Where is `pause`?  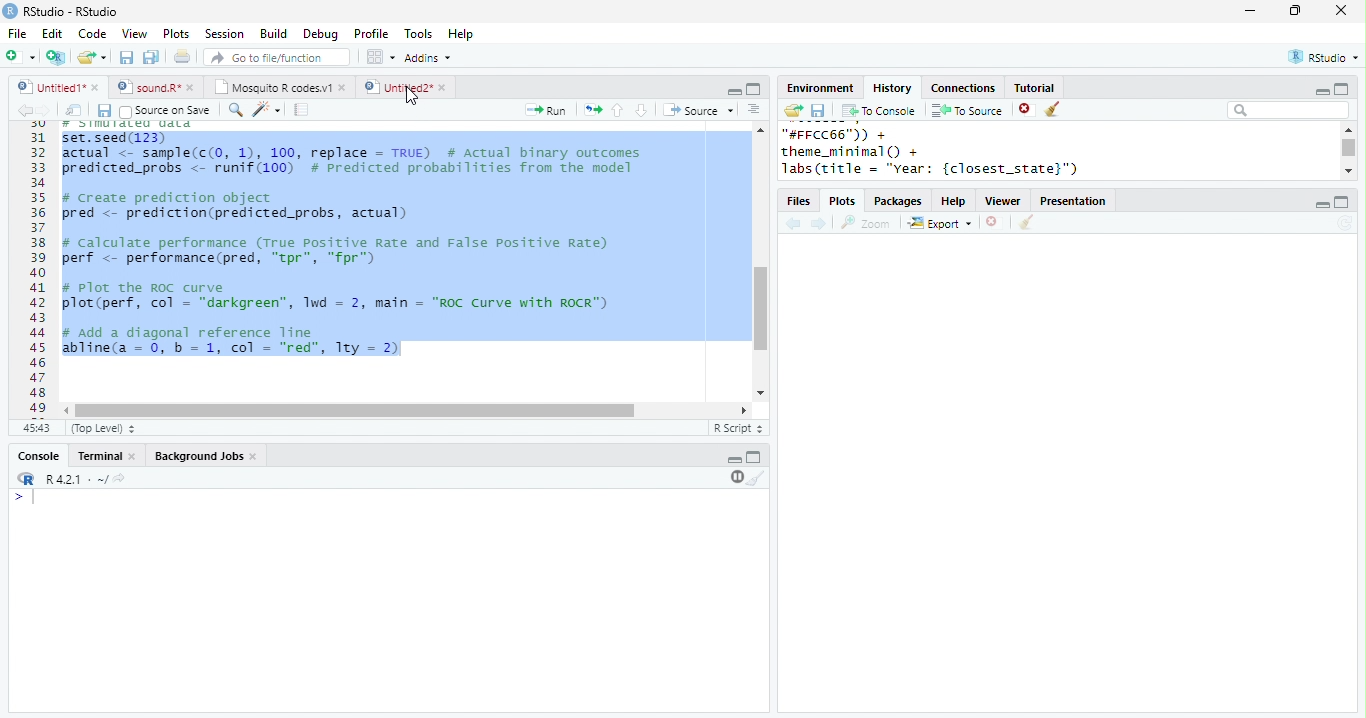 pause is located at coordinates (735, 477).